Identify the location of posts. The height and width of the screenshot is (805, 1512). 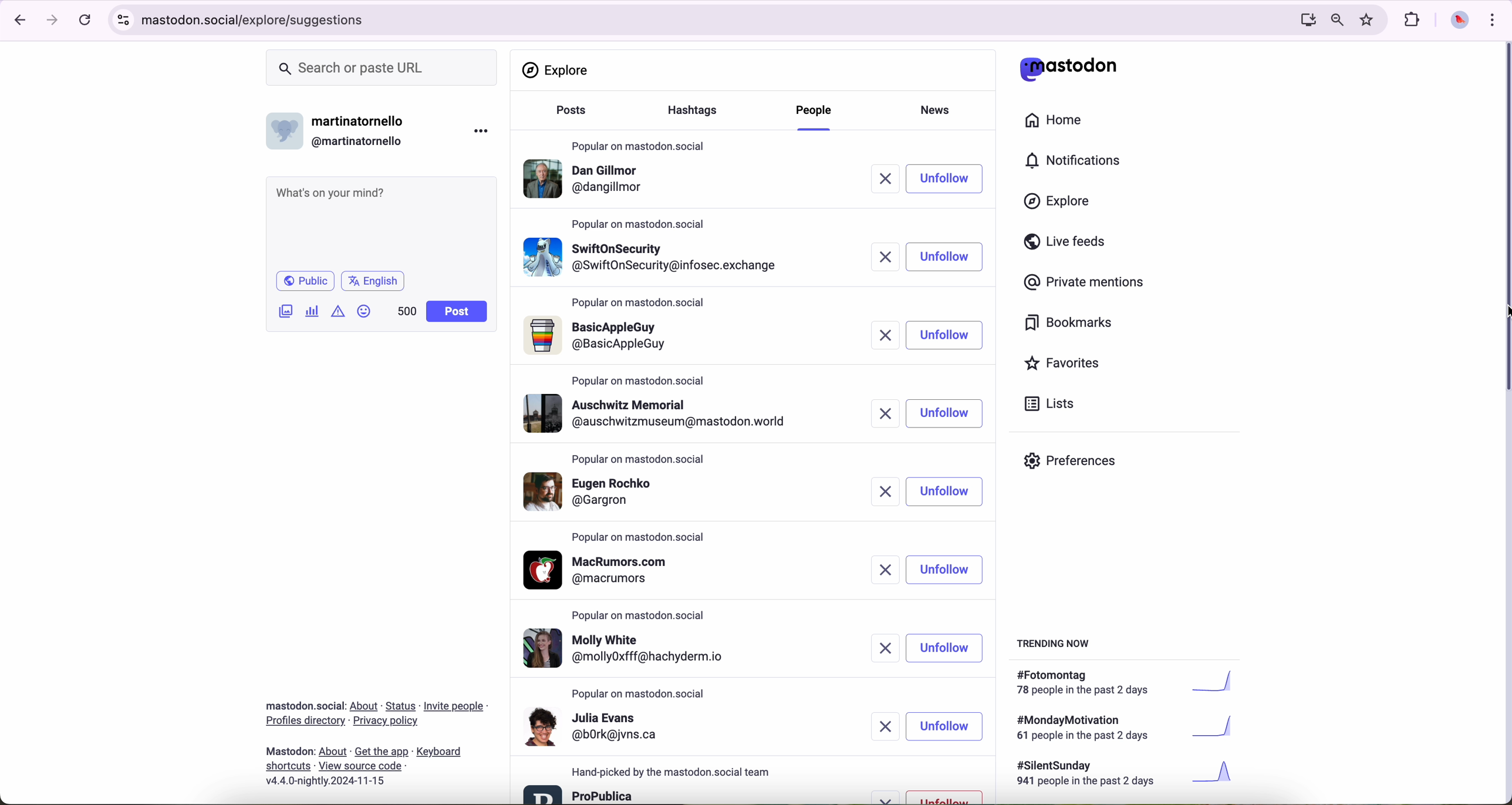
(568, 116).